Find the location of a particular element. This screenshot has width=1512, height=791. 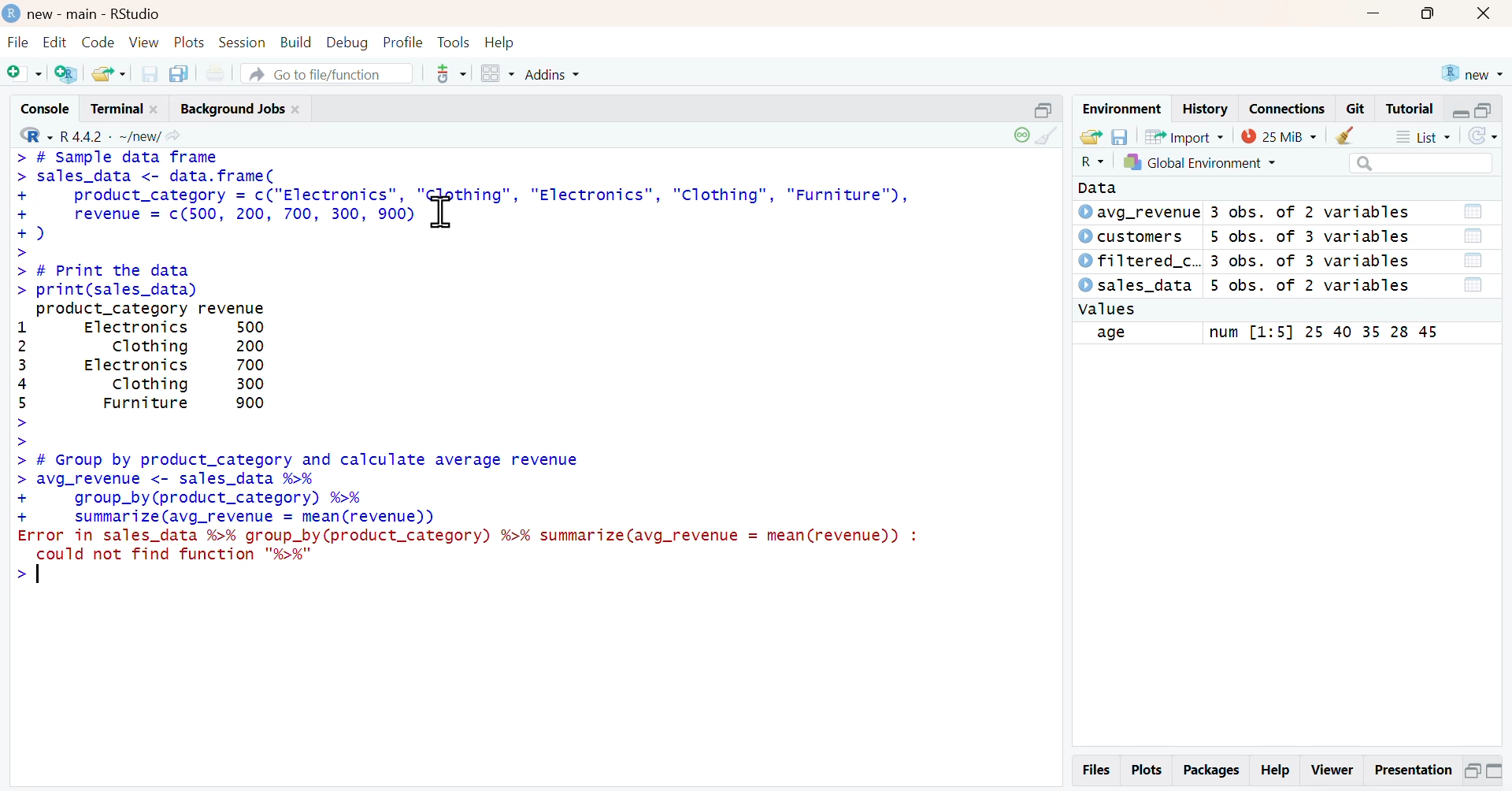

Open dataset in table view is located at coordinates (1473, 249).